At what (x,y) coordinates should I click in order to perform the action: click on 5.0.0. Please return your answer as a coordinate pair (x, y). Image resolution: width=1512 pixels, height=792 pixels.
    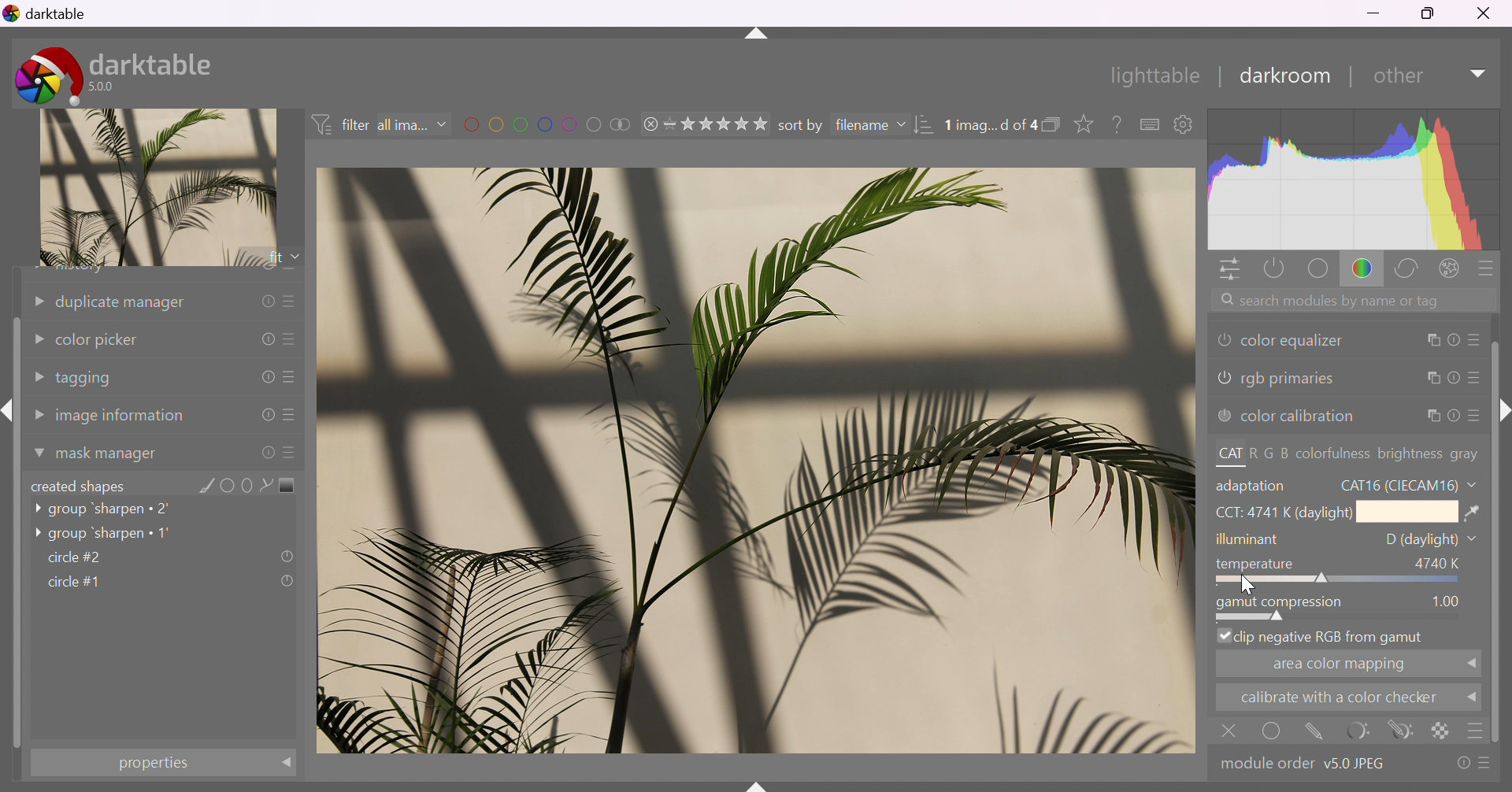
    Looking at the image, I should click on (109, 90).